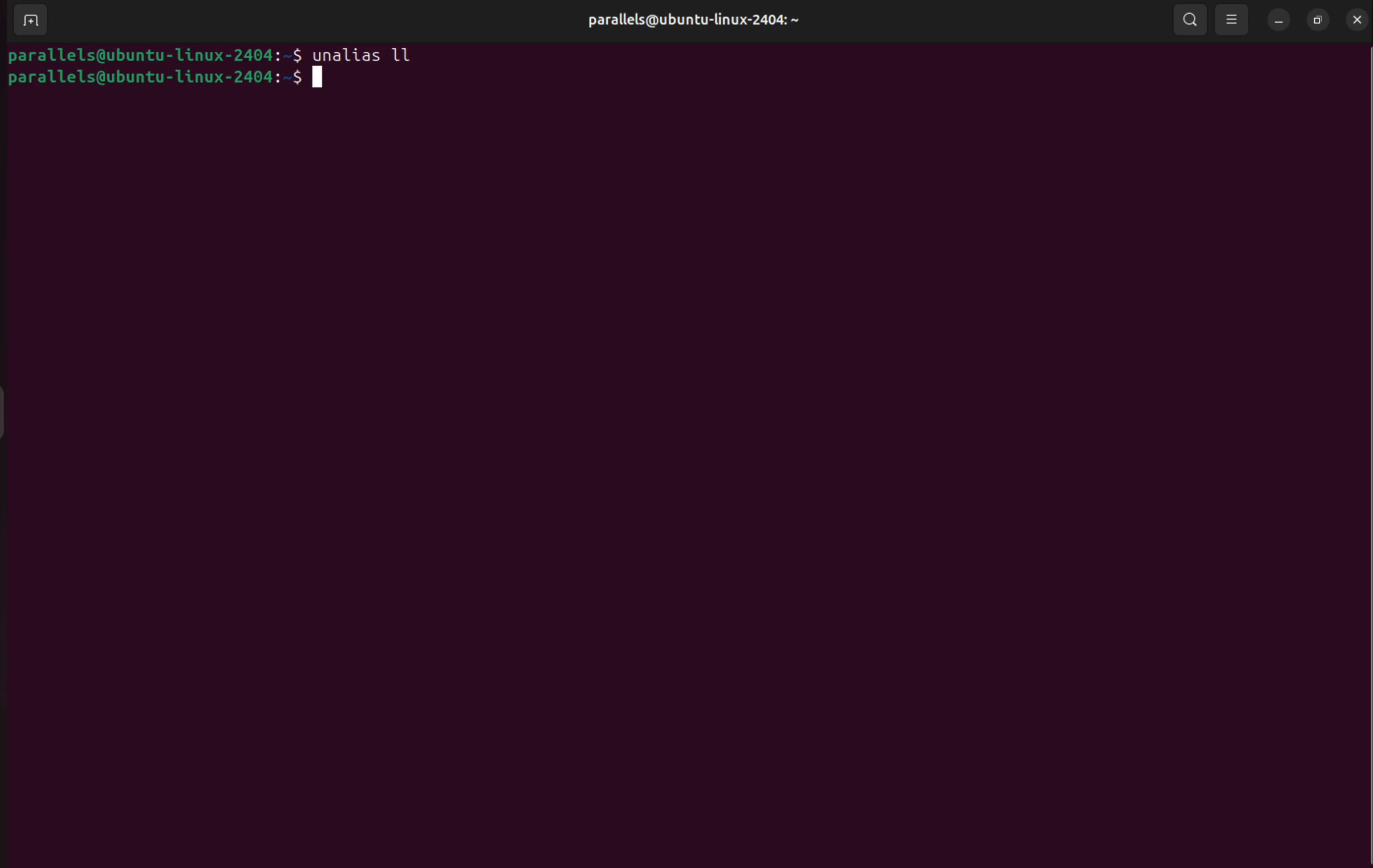  What do you see at coordinates (1187, 19) in the screenshot?
I see `search` at bounding box center [1187, 19].